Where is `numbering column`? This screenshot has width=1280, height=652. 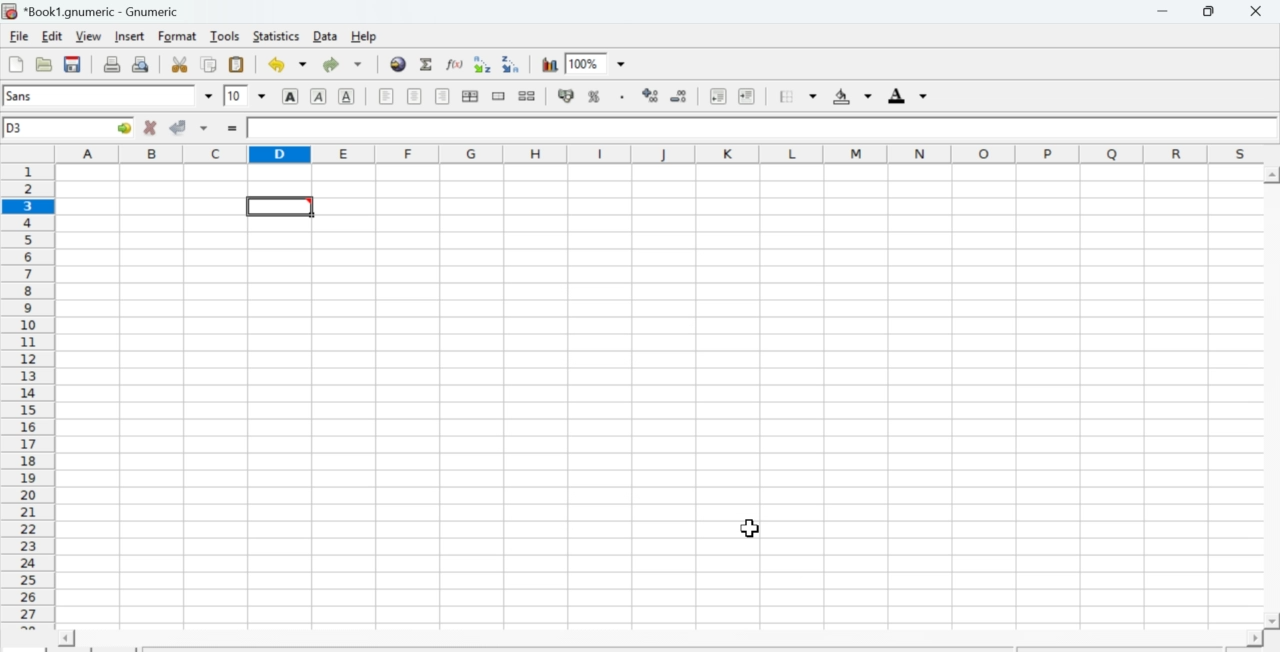
numbering column is located at coordinates (30, 396).